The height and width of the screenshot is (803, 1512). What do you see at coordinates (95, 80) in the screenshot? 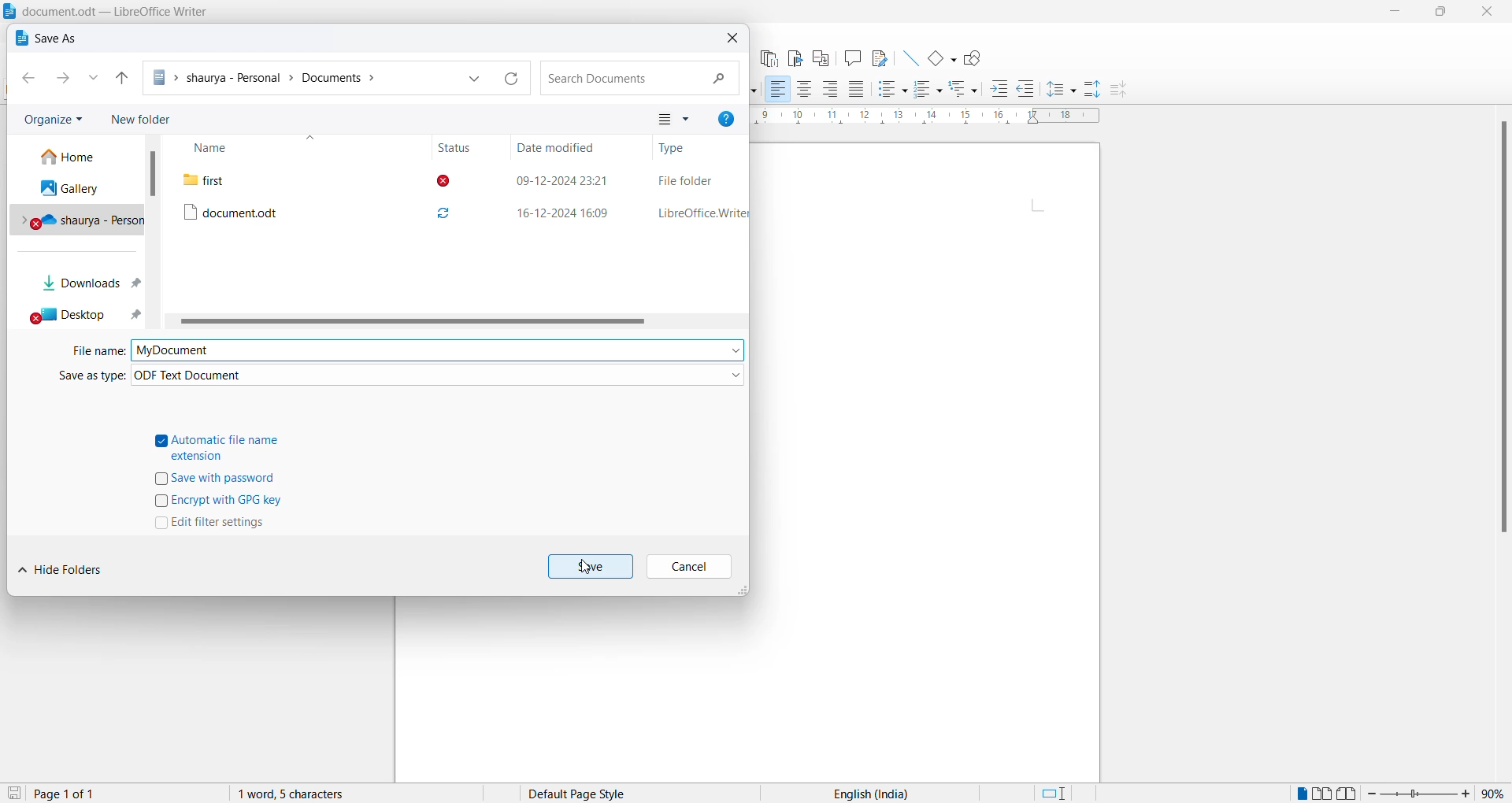
I see `Recently accessed` at bounding box center [95, 80].